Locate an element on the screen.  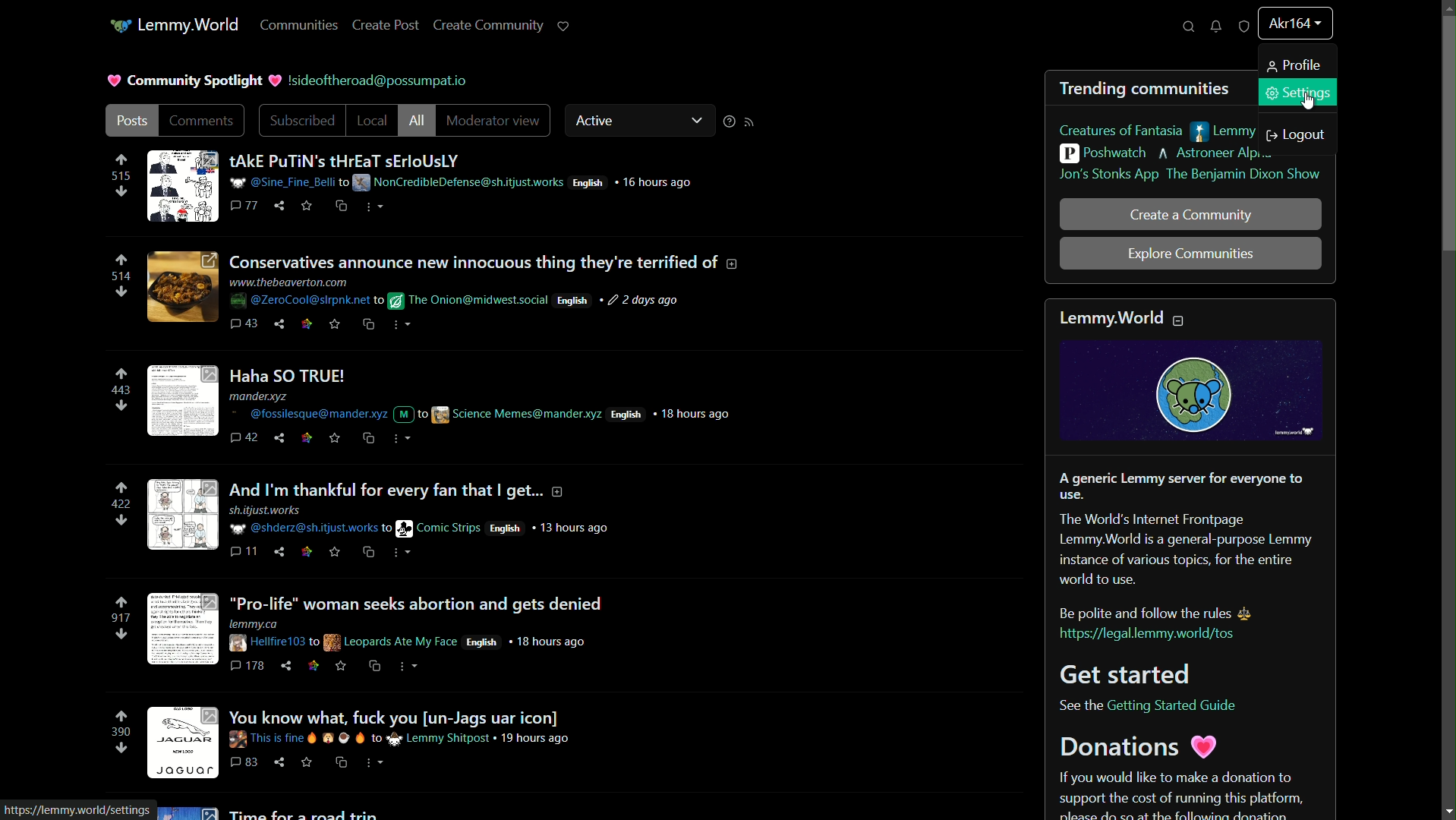
post-3 is located at coordinates (446, 406).